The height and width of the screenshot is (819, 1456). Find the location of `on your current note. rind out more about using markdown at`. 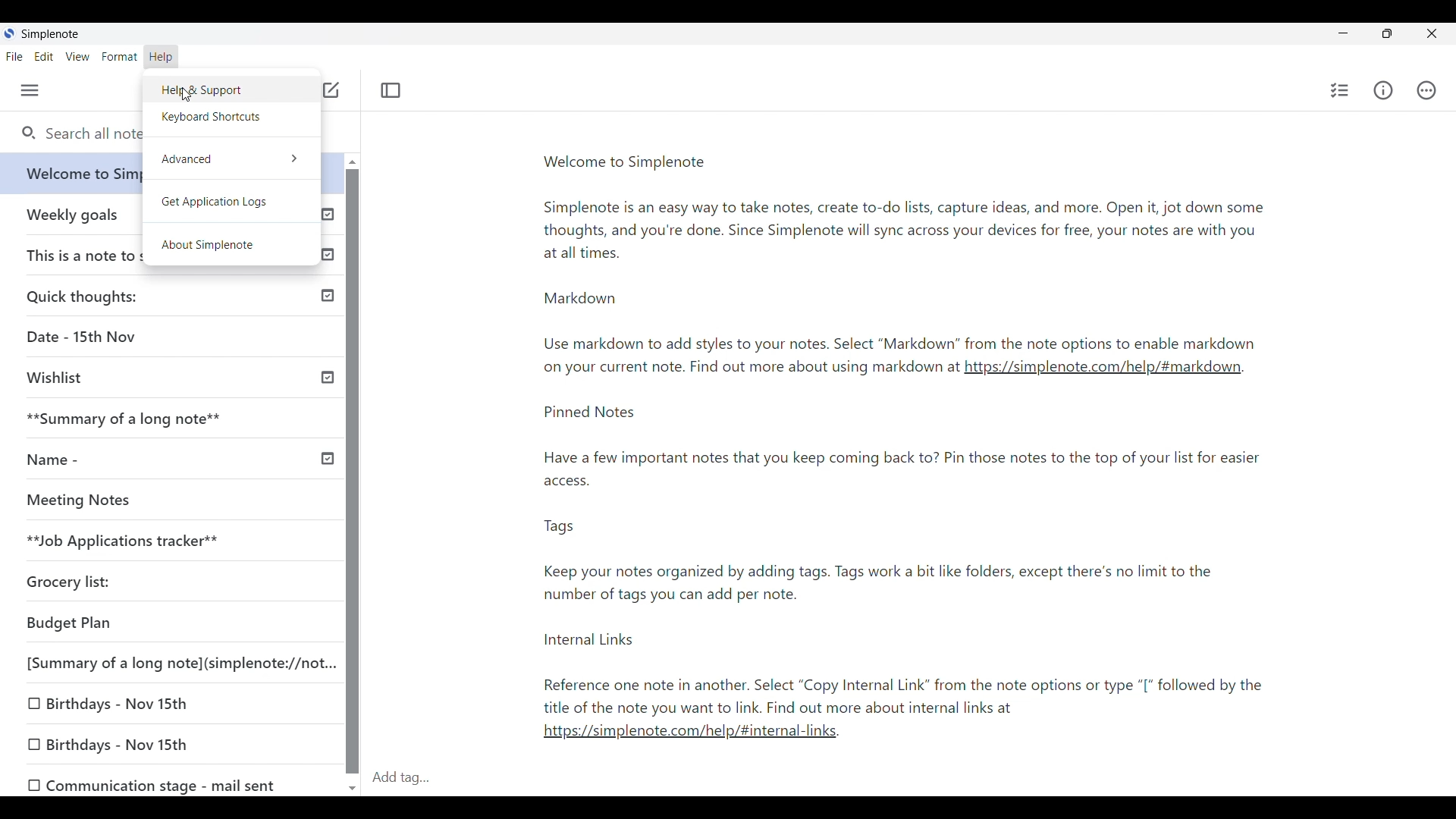

on your current note. rind out more about using markdown at is located at coordinates (742, 369).